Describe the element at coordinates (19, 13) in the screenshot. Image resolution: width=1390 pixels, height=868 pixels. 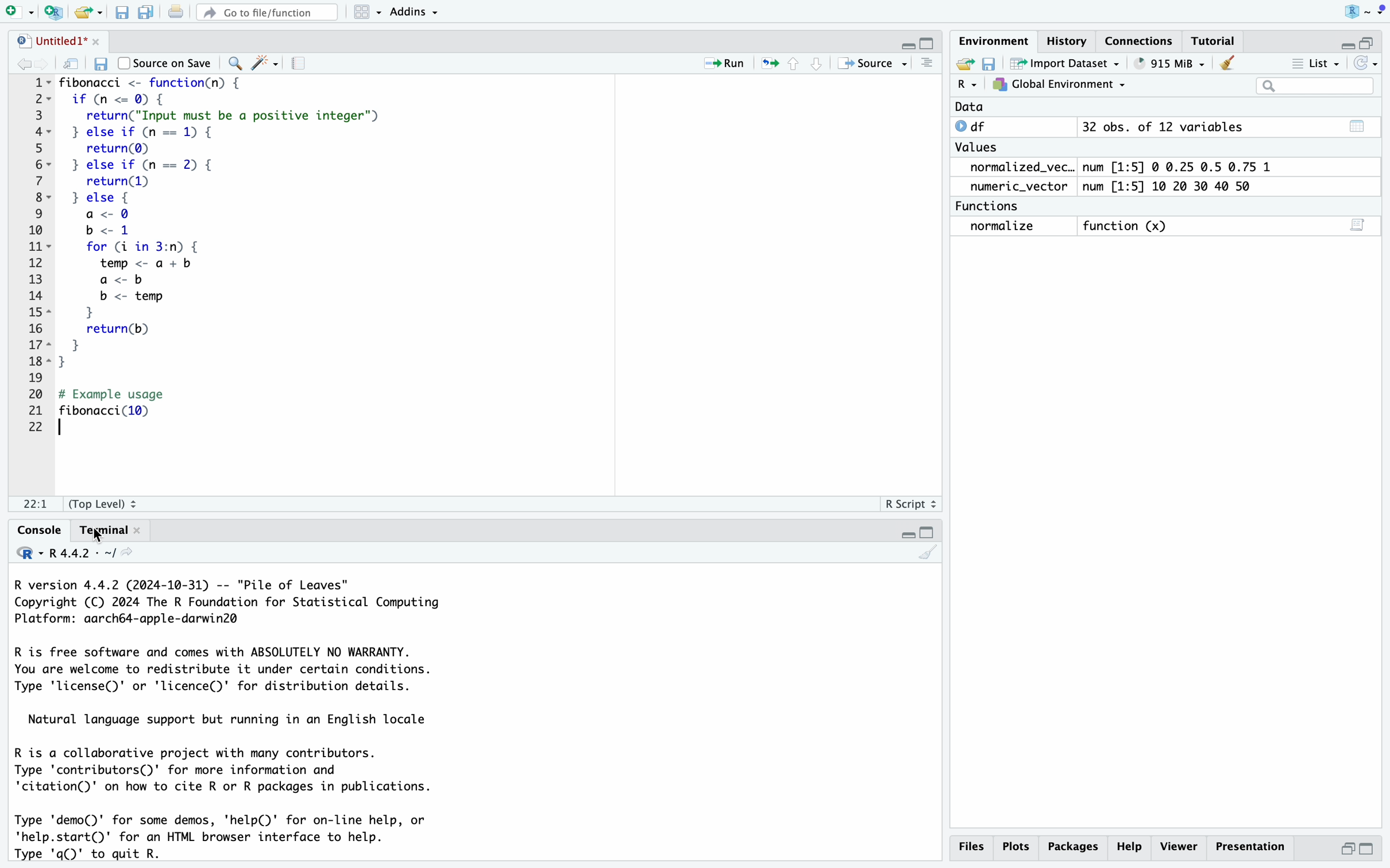
I see `new file` at that location.